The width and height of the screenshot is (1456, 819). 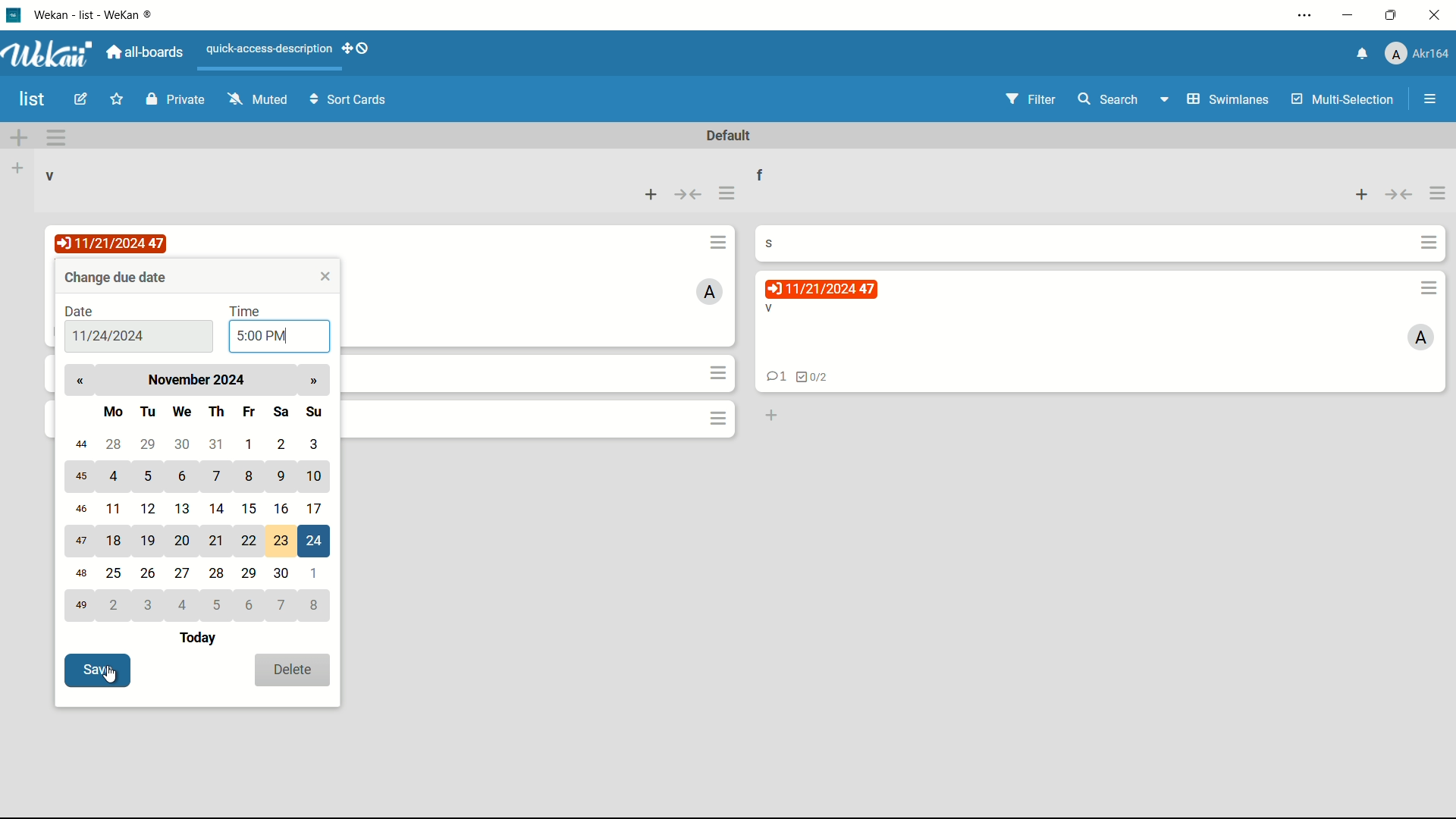 What do you see at coordinates (185, 605) in the screenshot?
I see `4` at bounding box center [185, 605].